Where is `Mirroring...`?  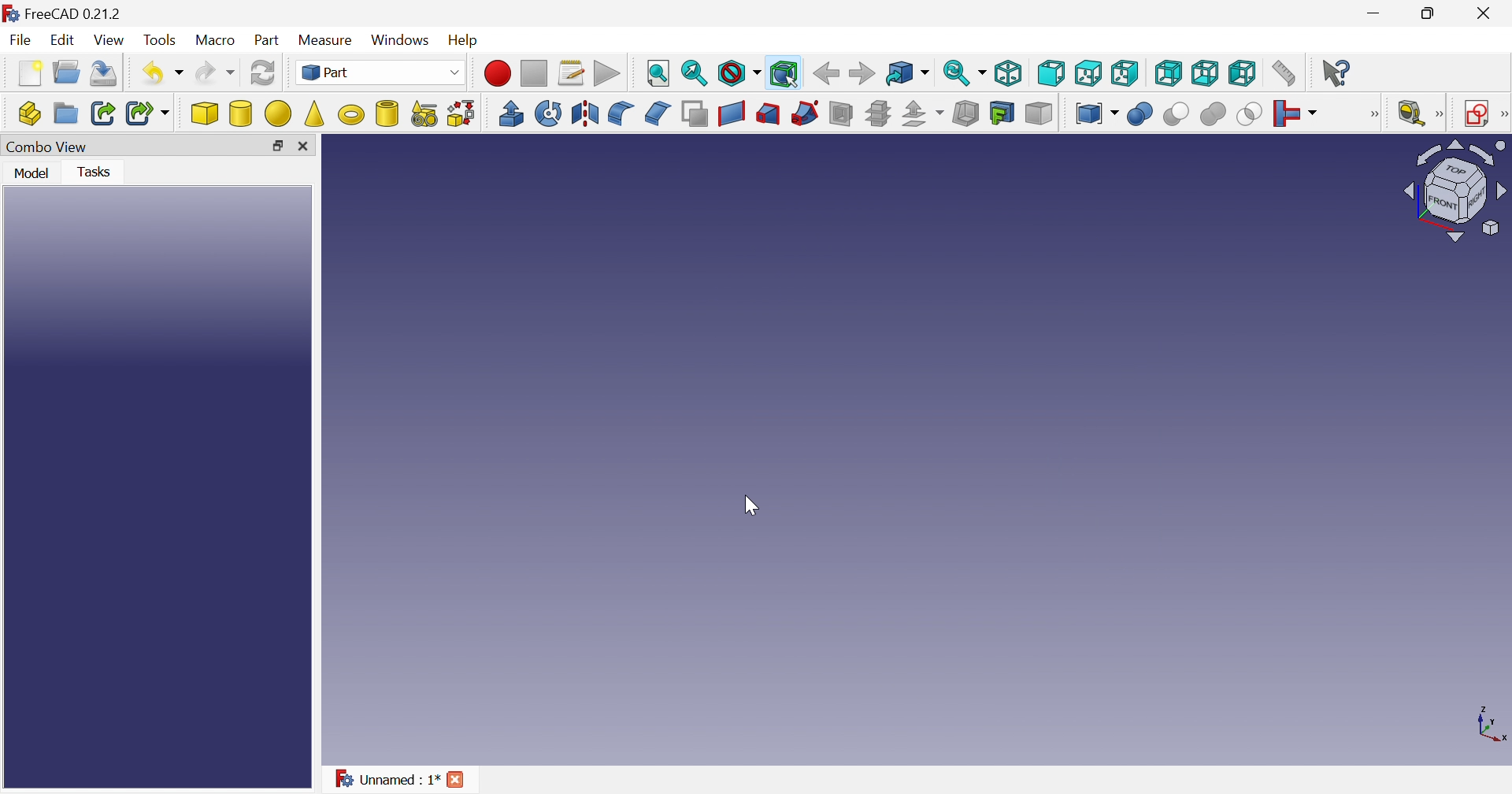
Mirroring... is located at coordinates (583, 113).